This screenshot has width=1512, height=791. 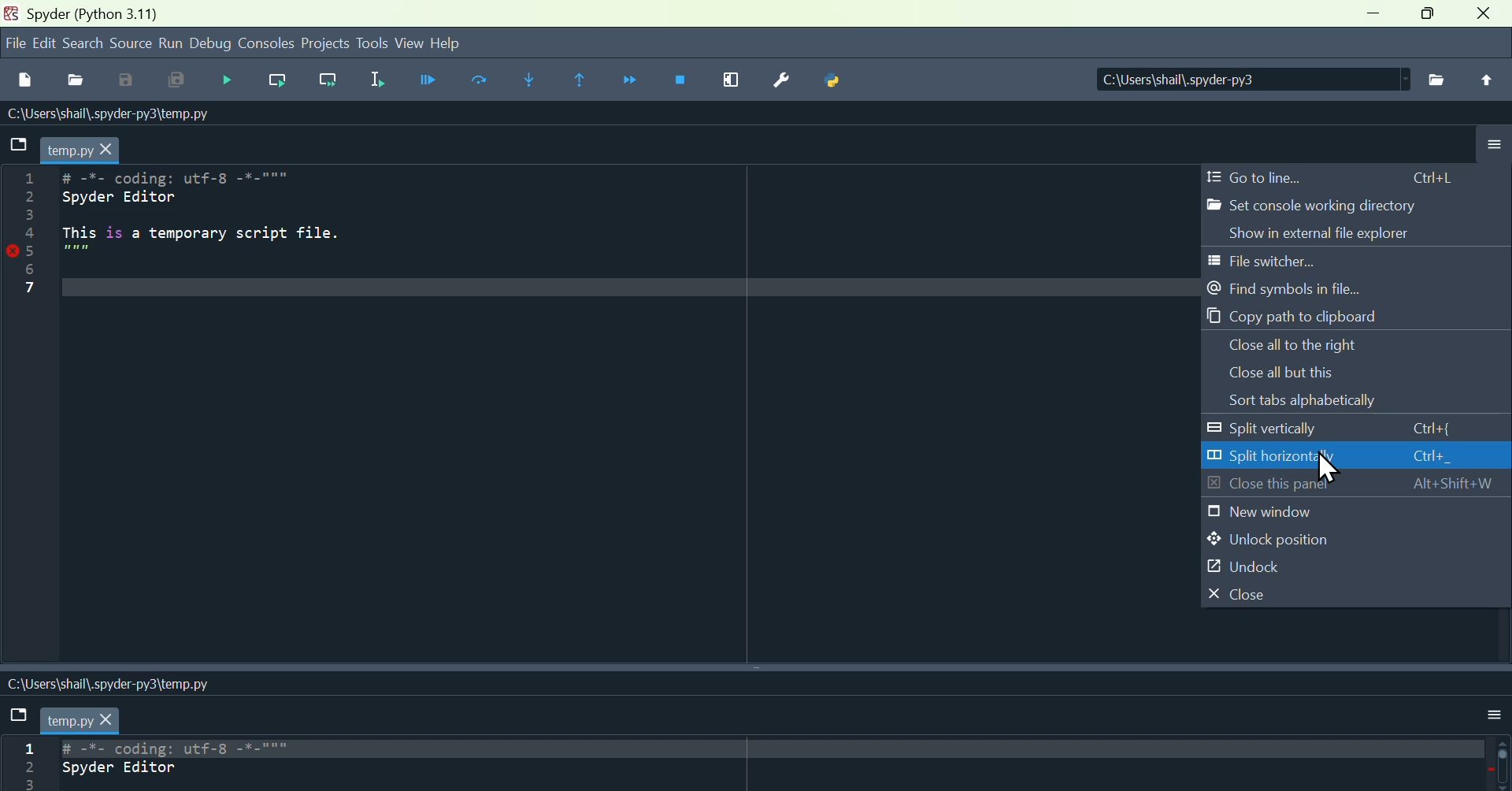 What do you see at coordinates (1273, 511) in the screenshot?
I see `New window` at bounding box center [1273, 511].